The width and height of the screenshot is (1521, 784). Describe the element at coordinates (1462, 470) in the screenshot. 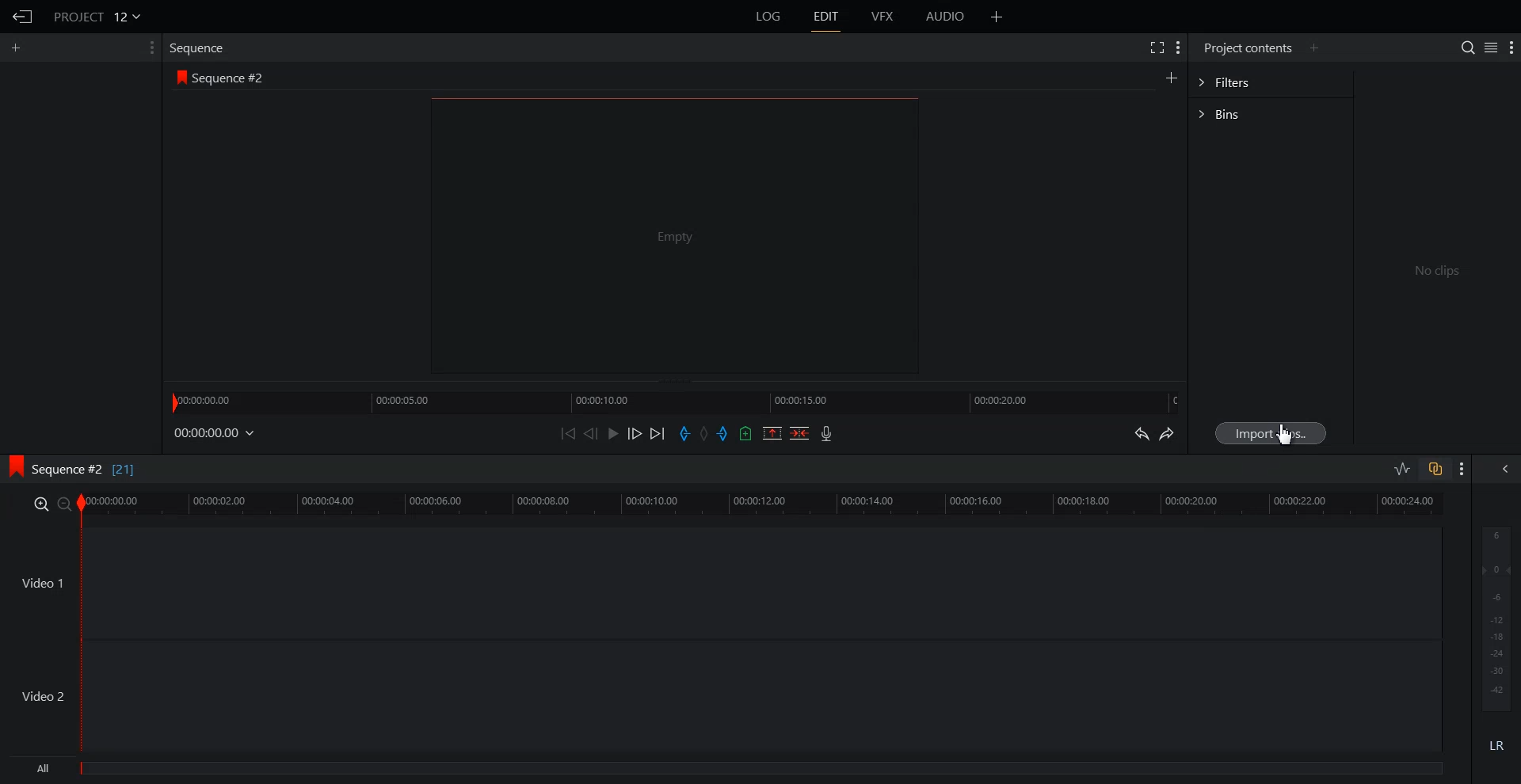

I see `Show Setting Menu` at that location.